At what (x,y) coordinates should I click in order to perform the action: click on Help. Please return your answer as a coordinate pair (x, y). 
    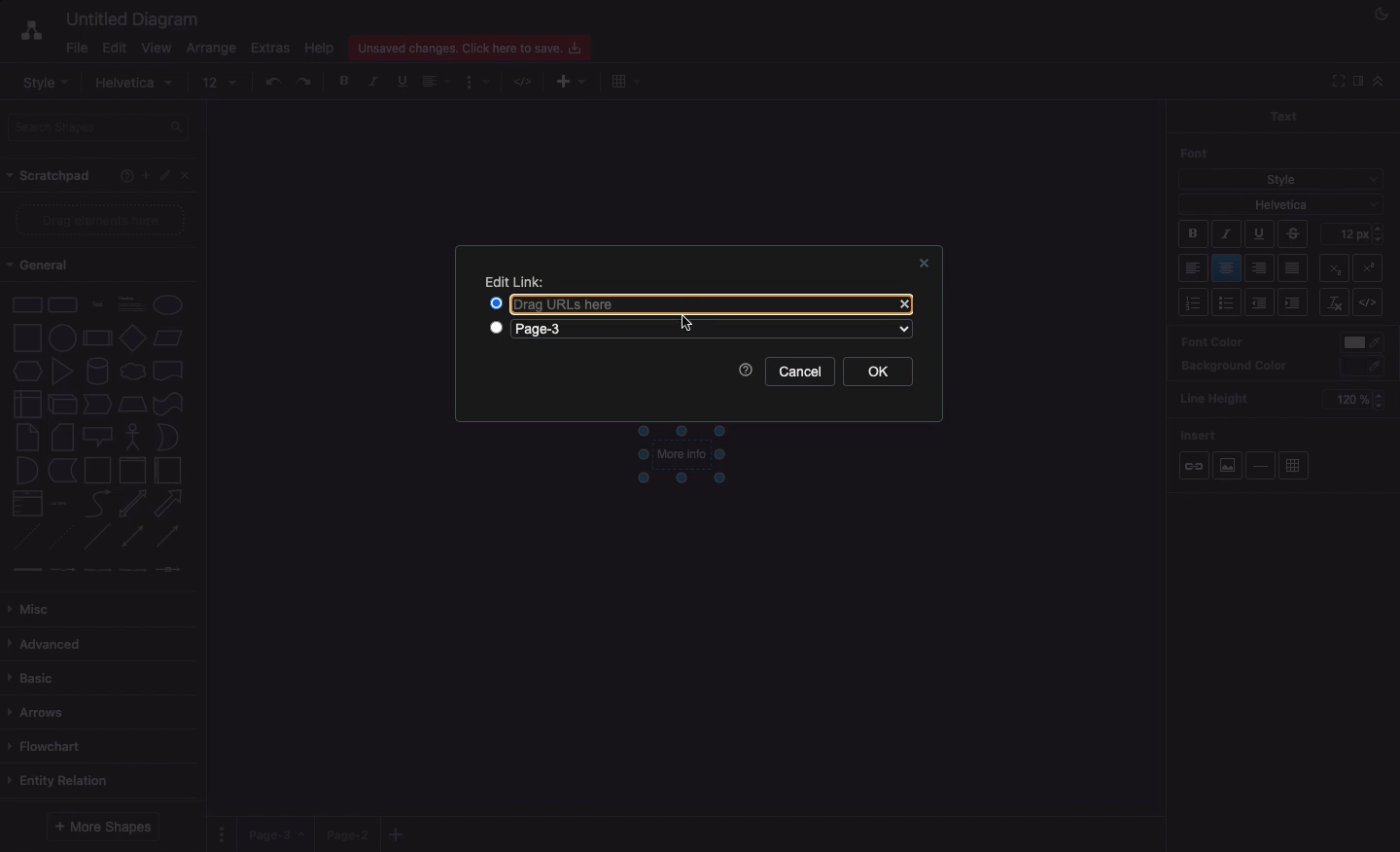
    Looking at the image, I should click on (122, 178).